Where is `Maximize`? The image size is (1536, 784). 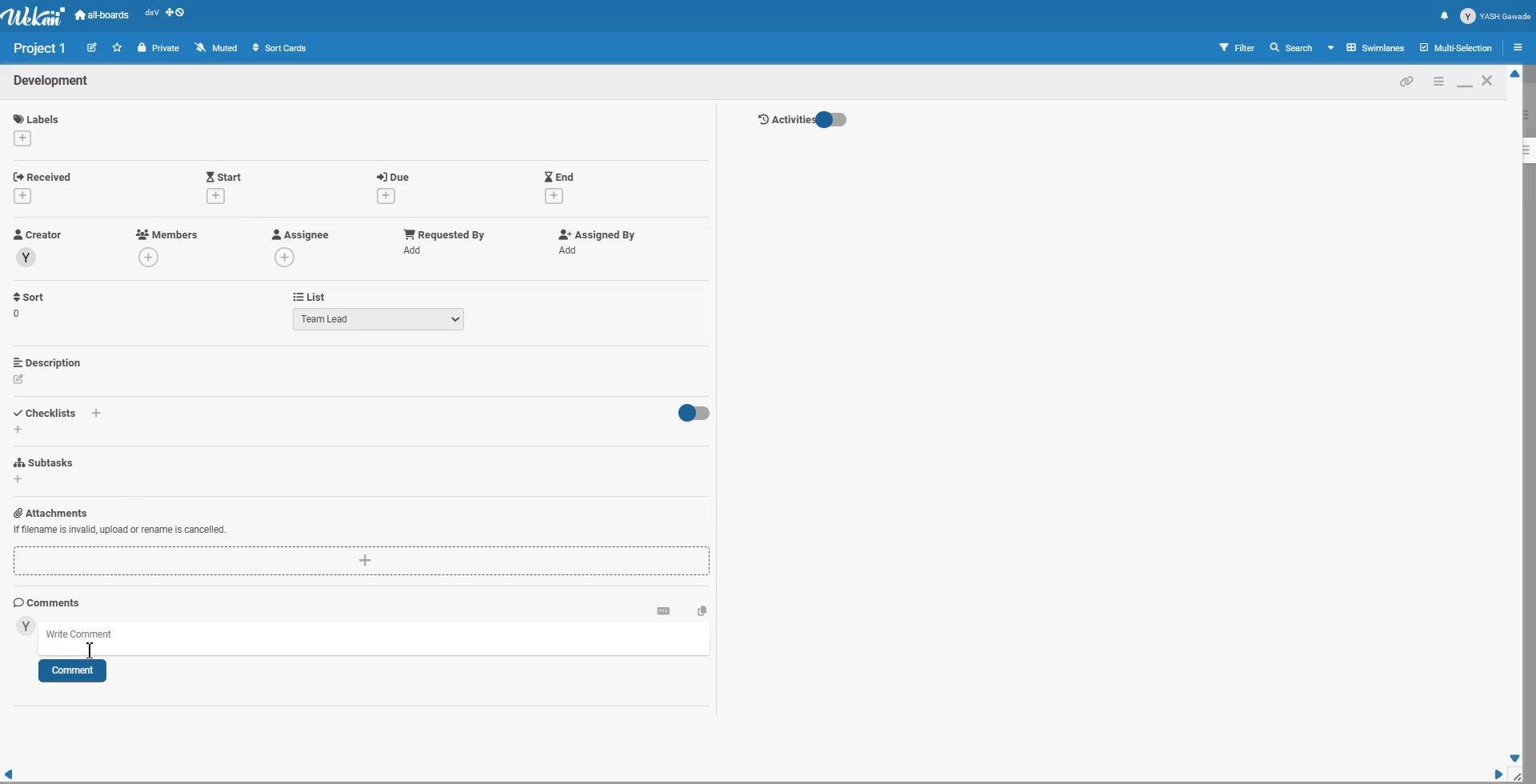 Maximize is located at coordinates (1464, 81).